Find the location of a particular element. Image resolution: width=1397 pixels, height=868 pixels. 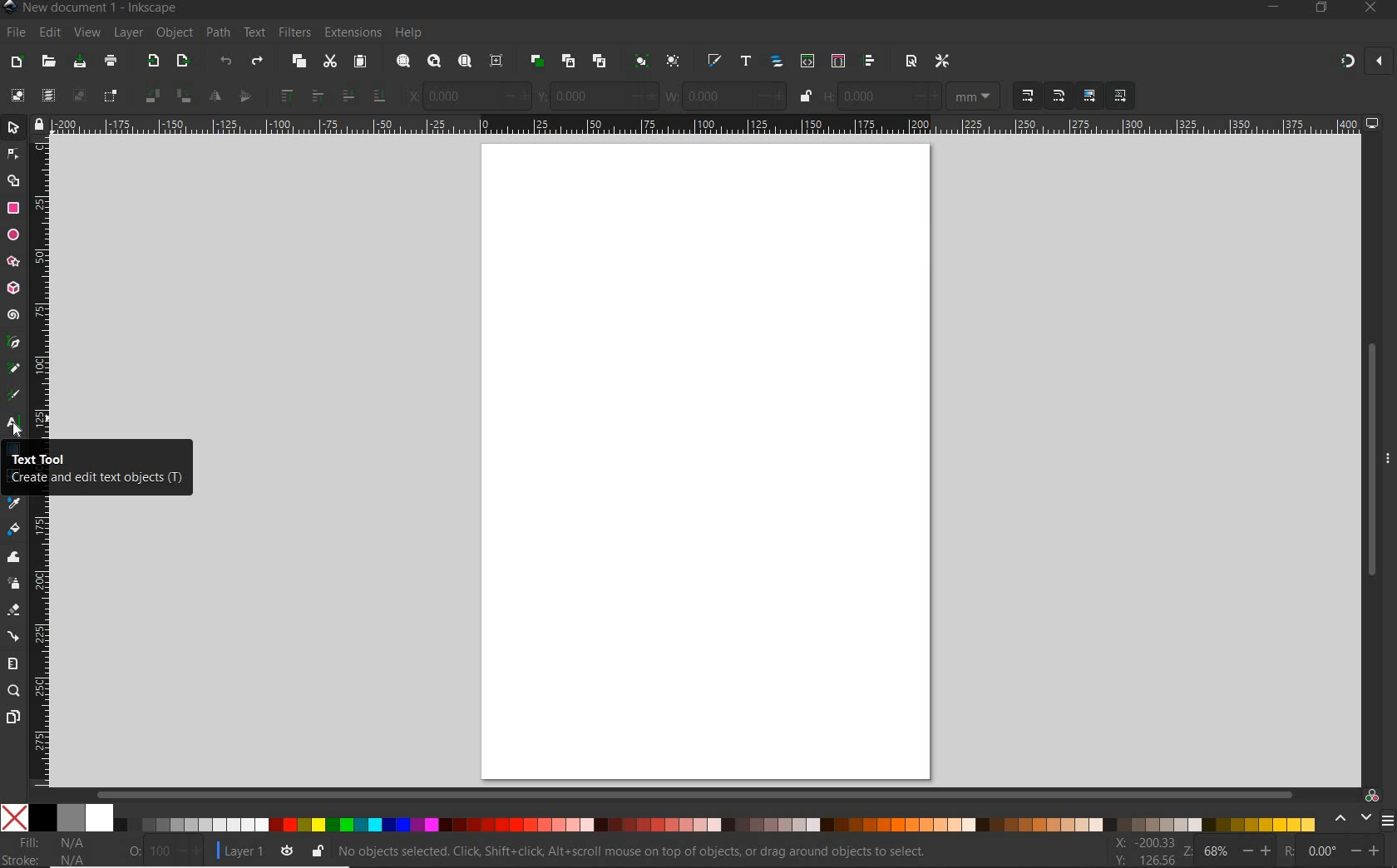

lower selection is located at coordinates (383, 94).